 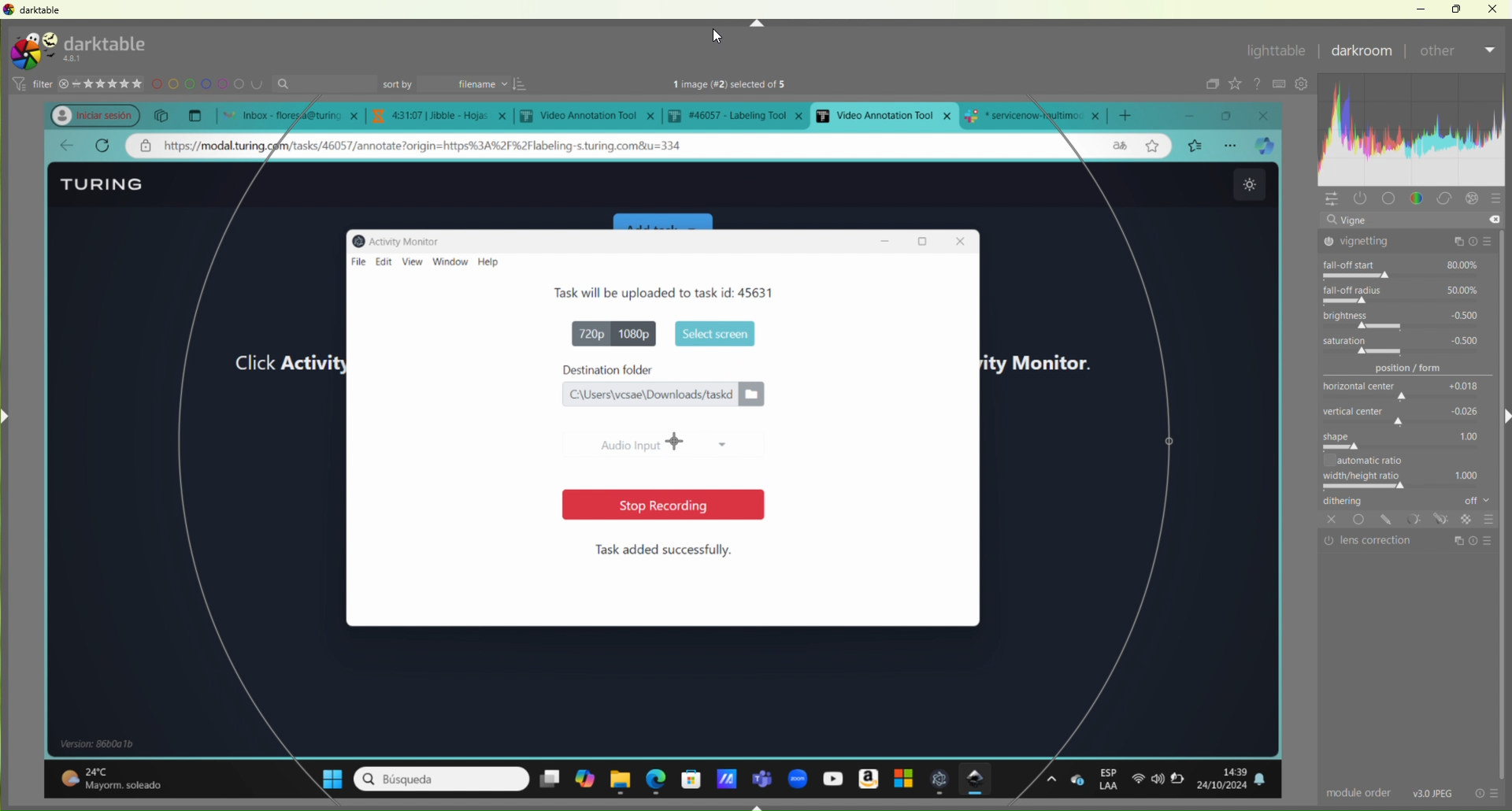 What do you see at coordinates (654, 505) in the screenshot?
I see `stop recording` at bounding box center [654, 505].